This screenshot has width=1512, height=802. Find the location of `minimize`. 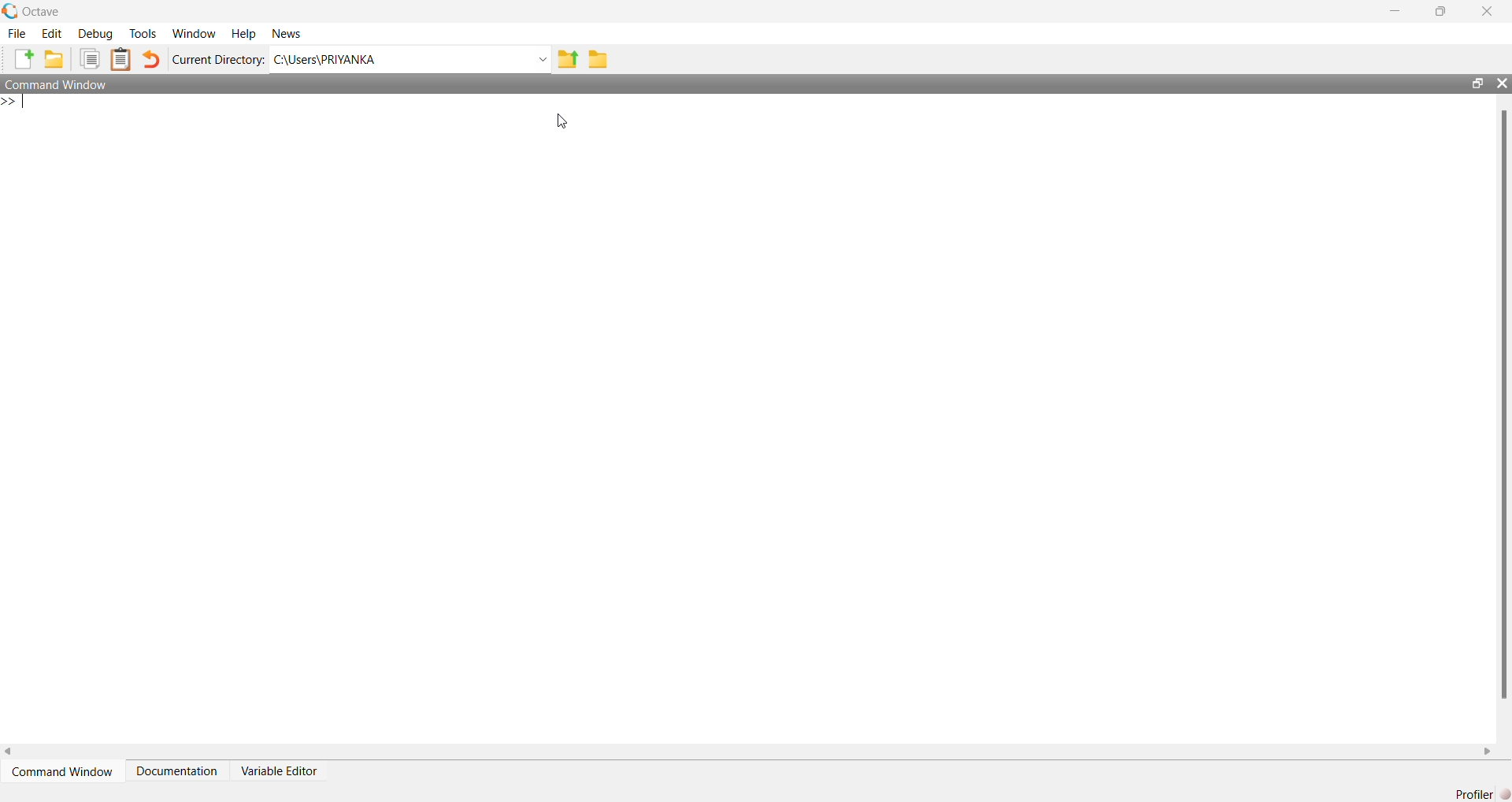

minimize is located at coordinates (1395, 12).